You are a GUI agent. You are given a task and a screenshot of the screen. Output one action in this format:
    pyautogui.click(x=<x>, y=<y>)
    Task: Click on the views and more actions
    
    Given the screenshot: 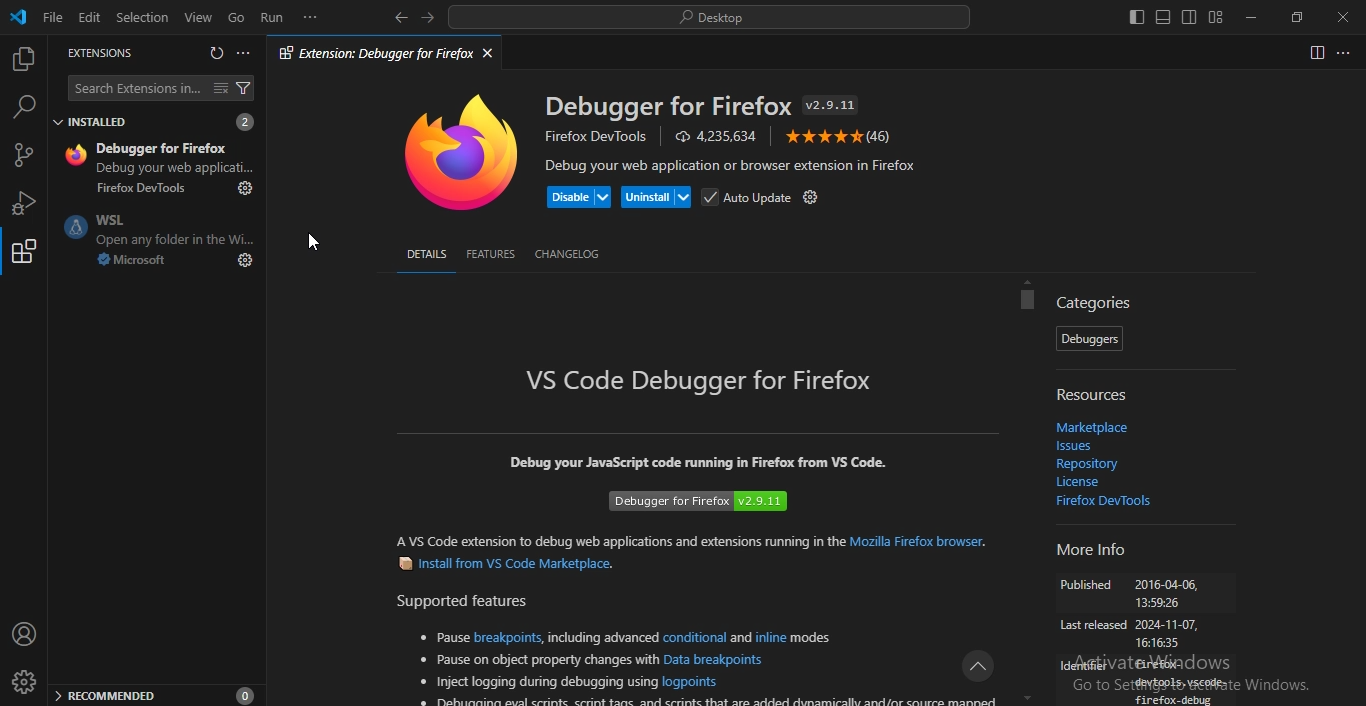 What is the action you would take?
    pyautogui.click(x=245, y=53)
    